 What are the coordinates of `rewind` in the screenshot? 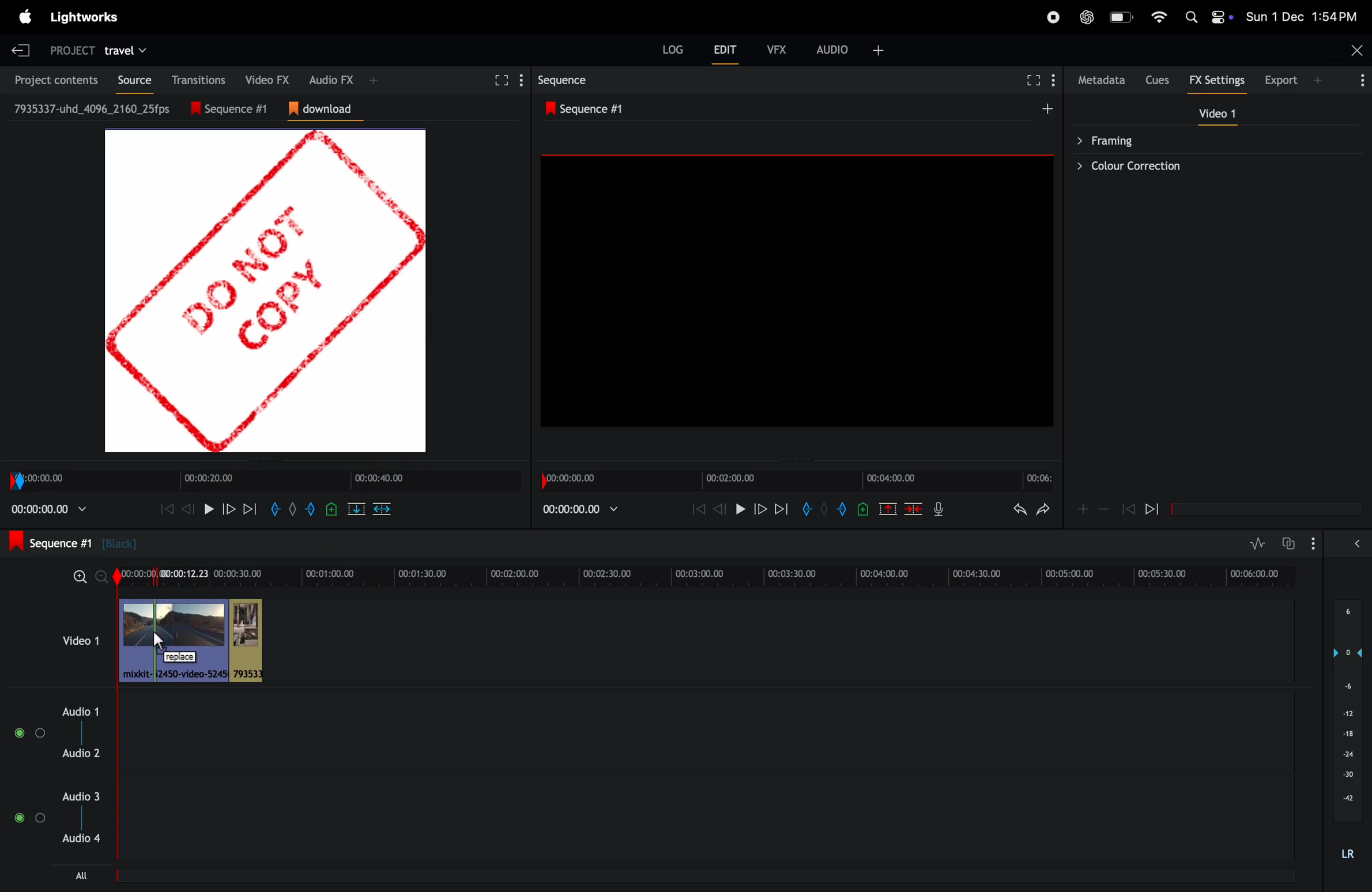 It's located at (186, 509).